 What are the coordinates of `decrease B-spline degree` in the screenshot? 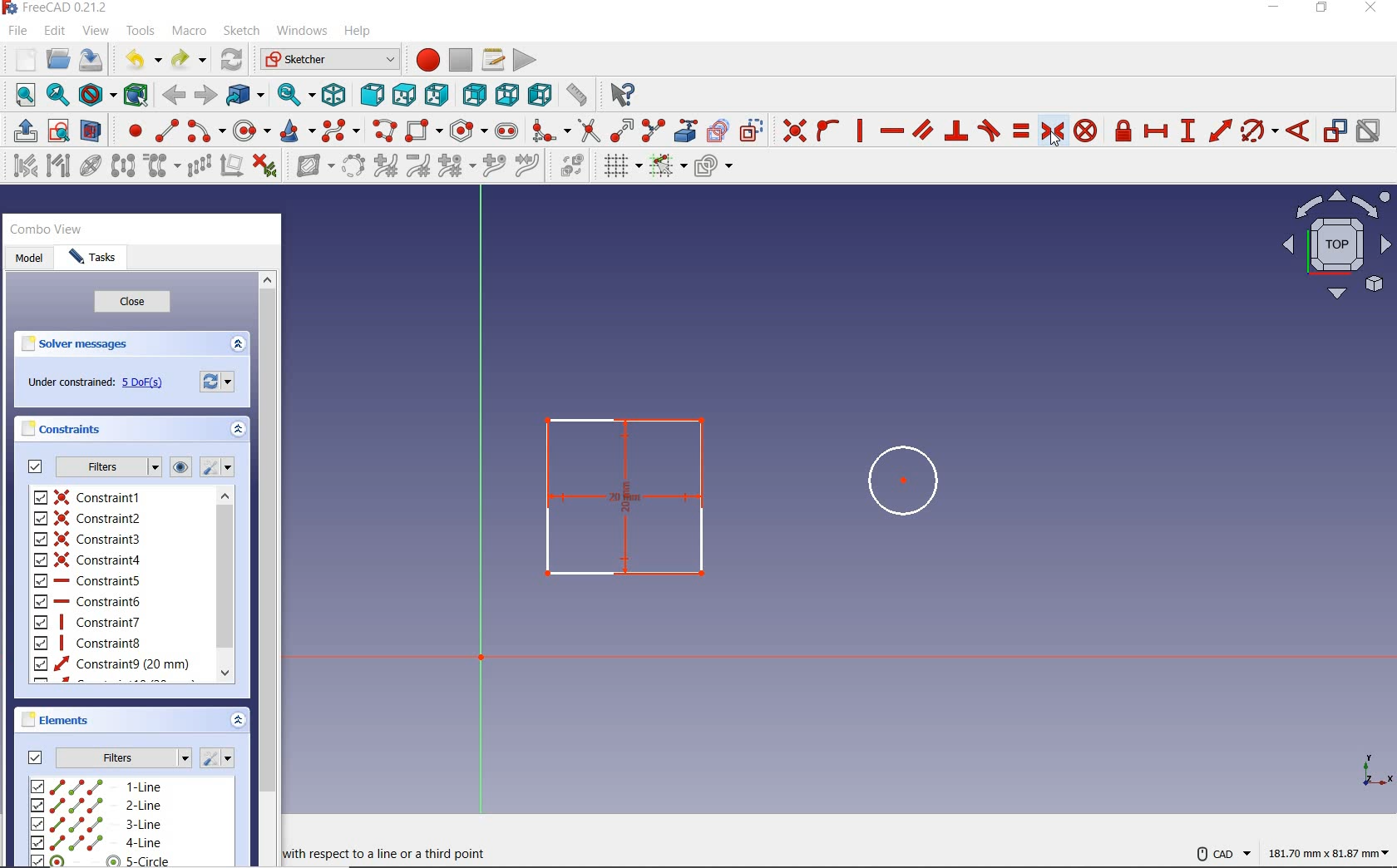 It's located at (417, 165).